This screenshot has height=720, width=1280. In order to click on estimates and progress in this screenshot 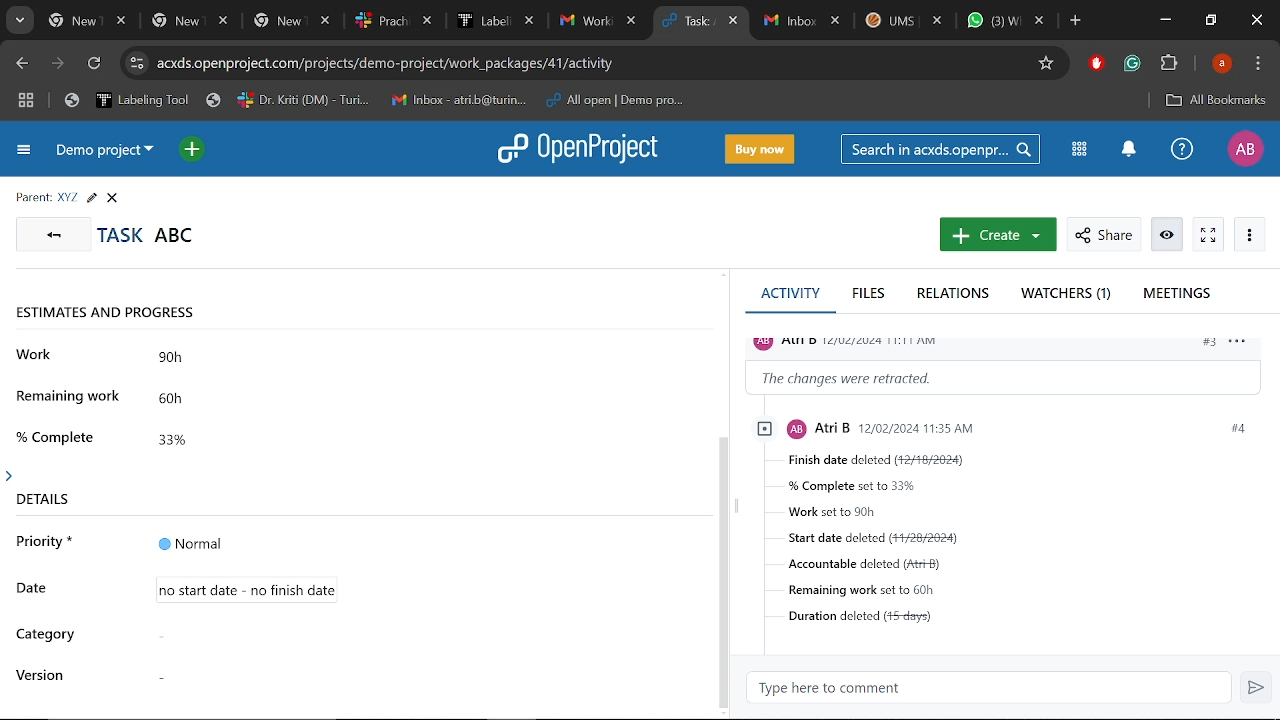, I will do `click(117, 314)`.